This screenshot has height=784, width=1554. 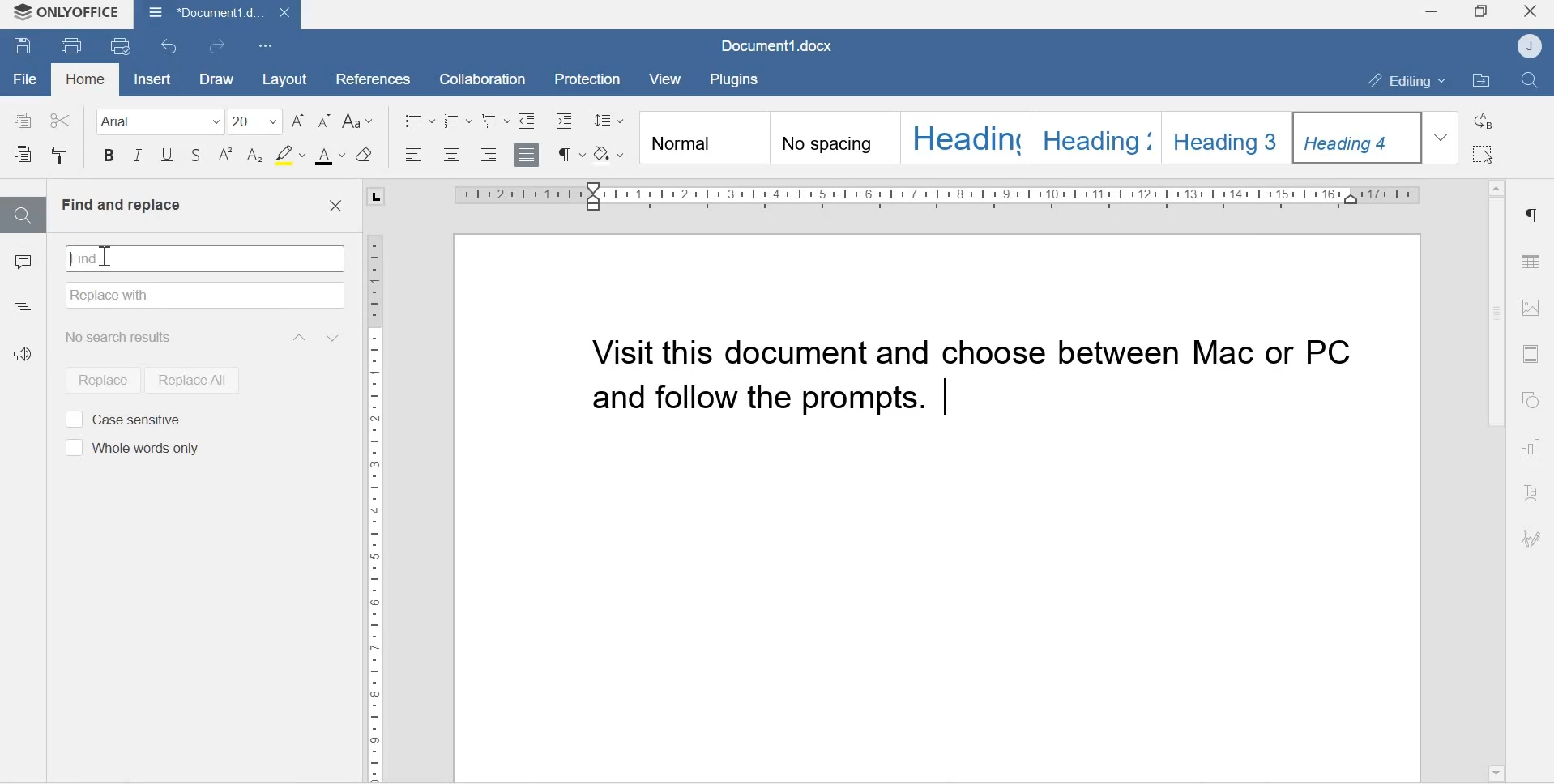 I want to click on Homd, so click(x=86, y=81).